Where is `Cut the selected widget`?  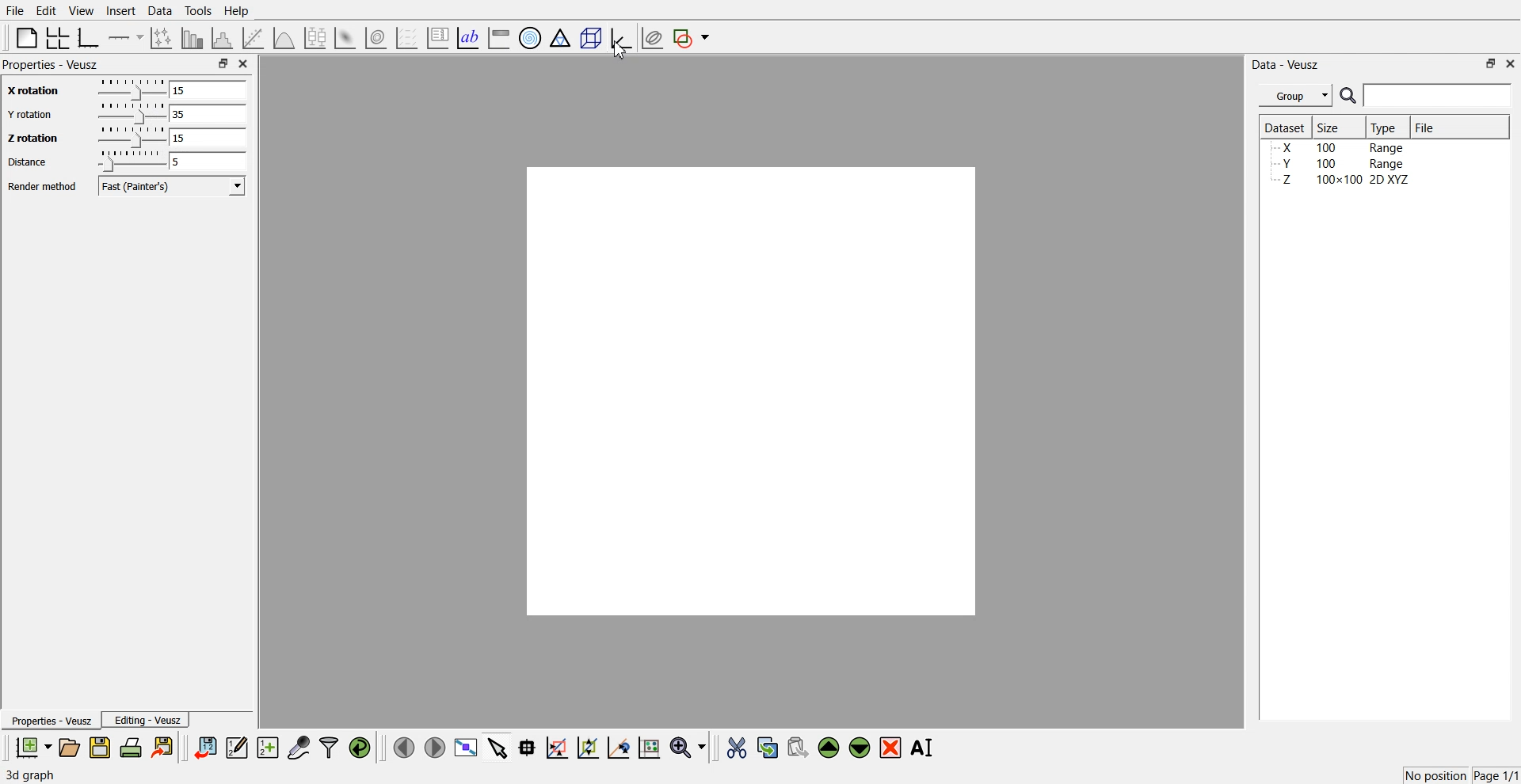 Cut the selected widget is located at coordinates (737, 748).